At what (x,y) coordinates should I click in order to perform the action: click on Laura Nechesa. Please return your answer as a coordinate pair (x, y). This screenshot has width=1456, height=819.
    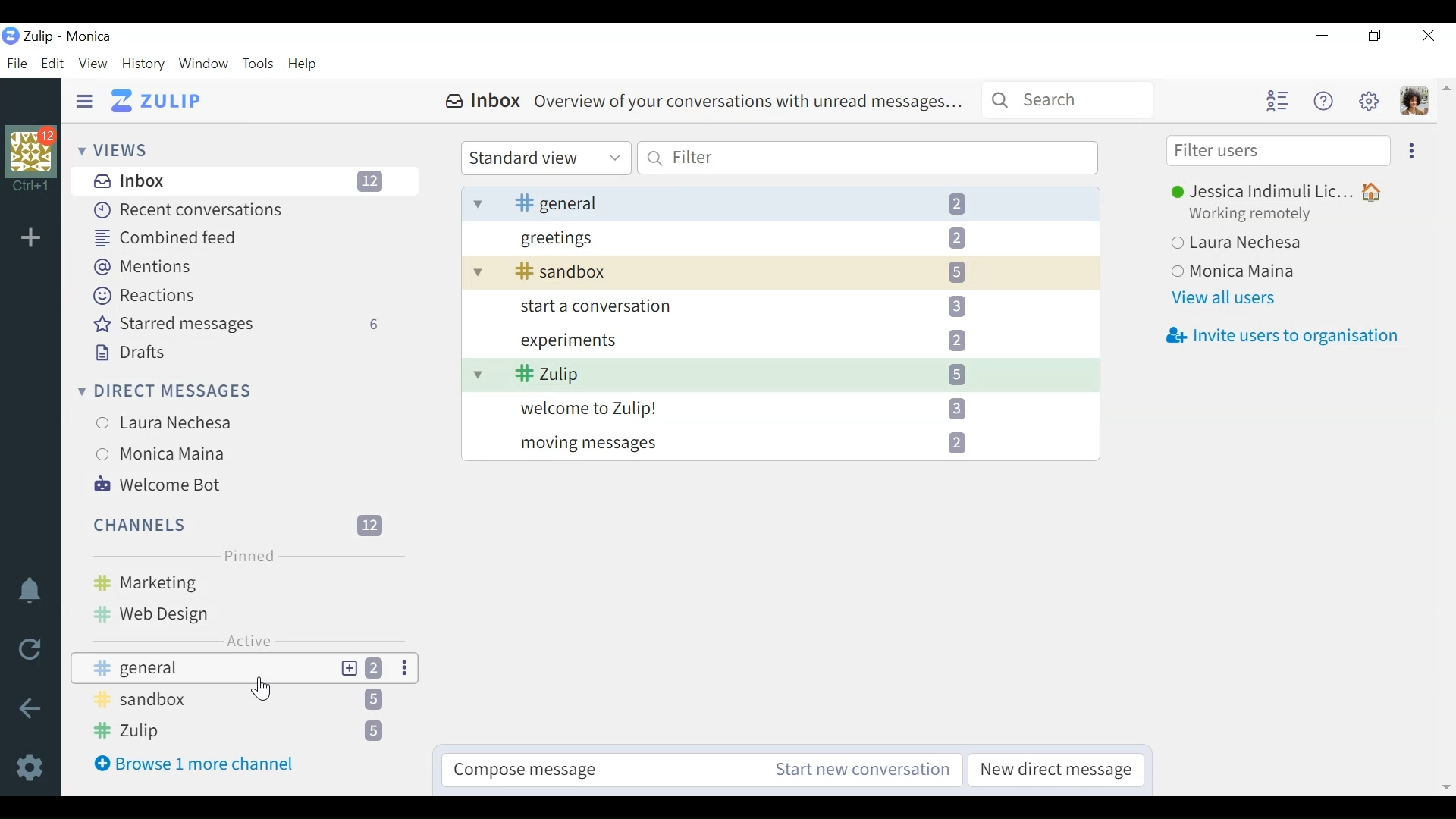
    Looking at the image, I should click on (1276, 245).